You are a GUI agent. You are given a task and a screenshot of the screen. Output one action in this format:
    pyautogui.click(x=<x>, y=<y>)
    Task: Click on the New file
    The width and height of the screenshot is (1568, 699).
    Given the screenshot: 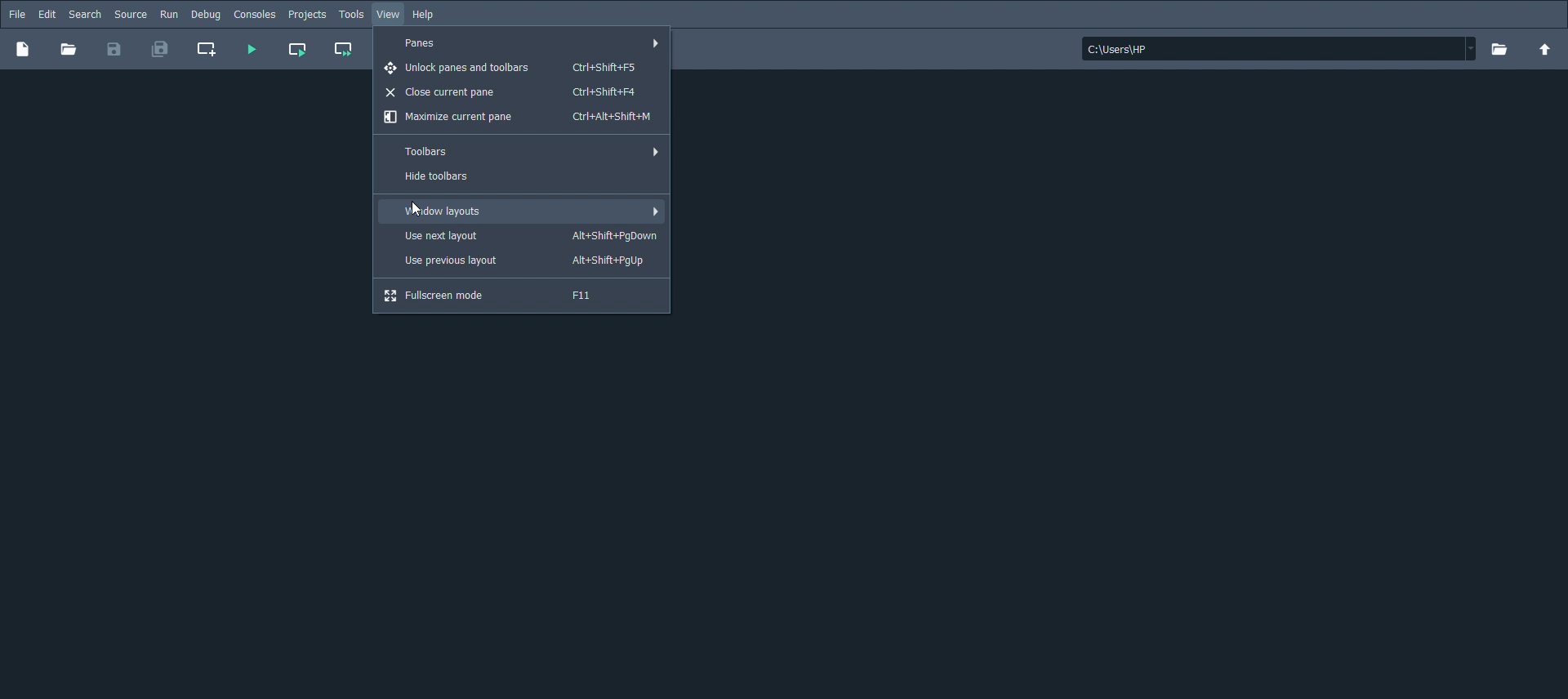 What is the action you would take?
    pyautogui.click(x=22, y=50)
    